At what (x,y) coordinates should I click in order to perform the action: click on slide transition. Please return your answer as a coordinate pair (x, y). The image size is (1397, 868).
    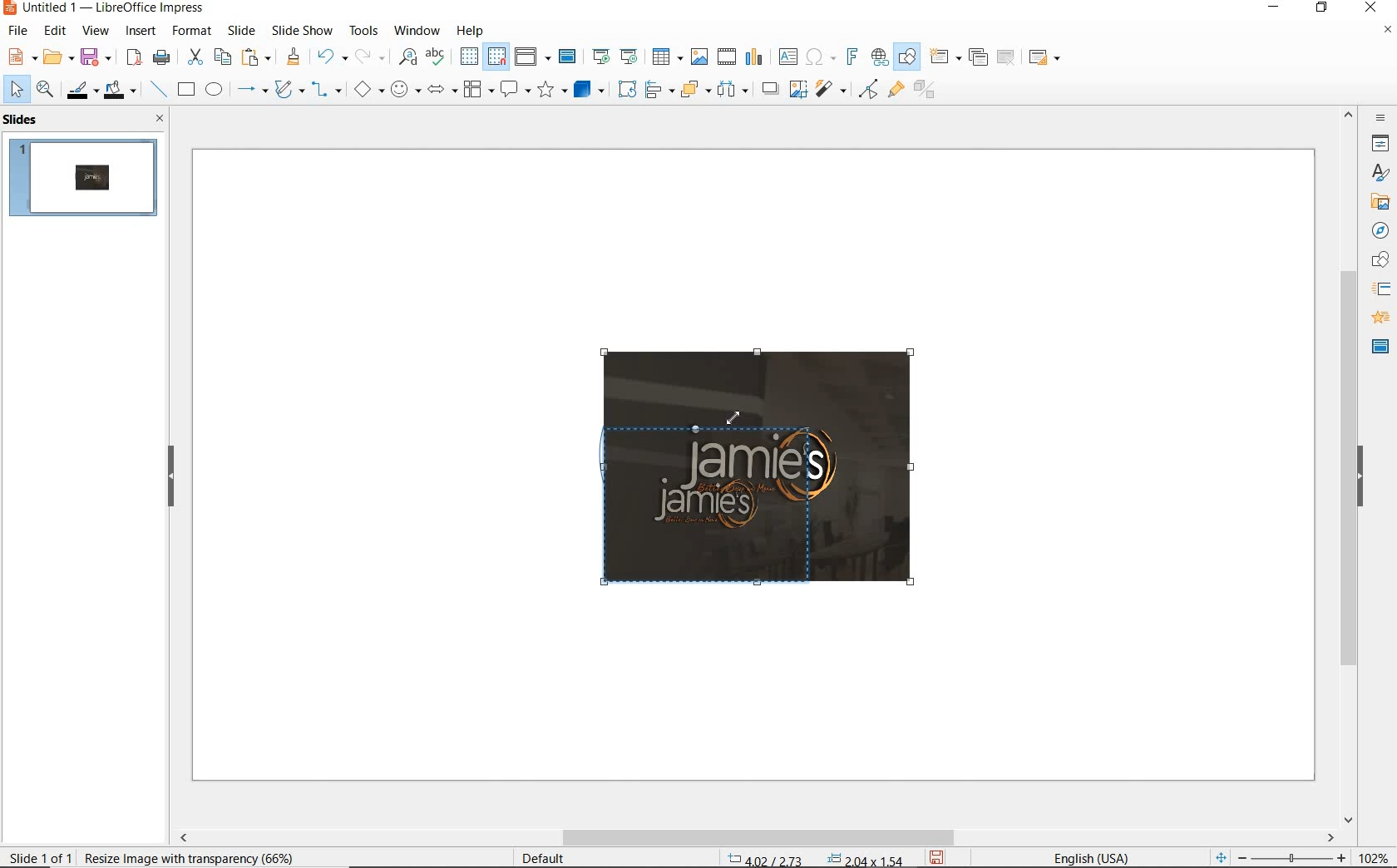
    Looking at the image, I should click on (1380, 289).